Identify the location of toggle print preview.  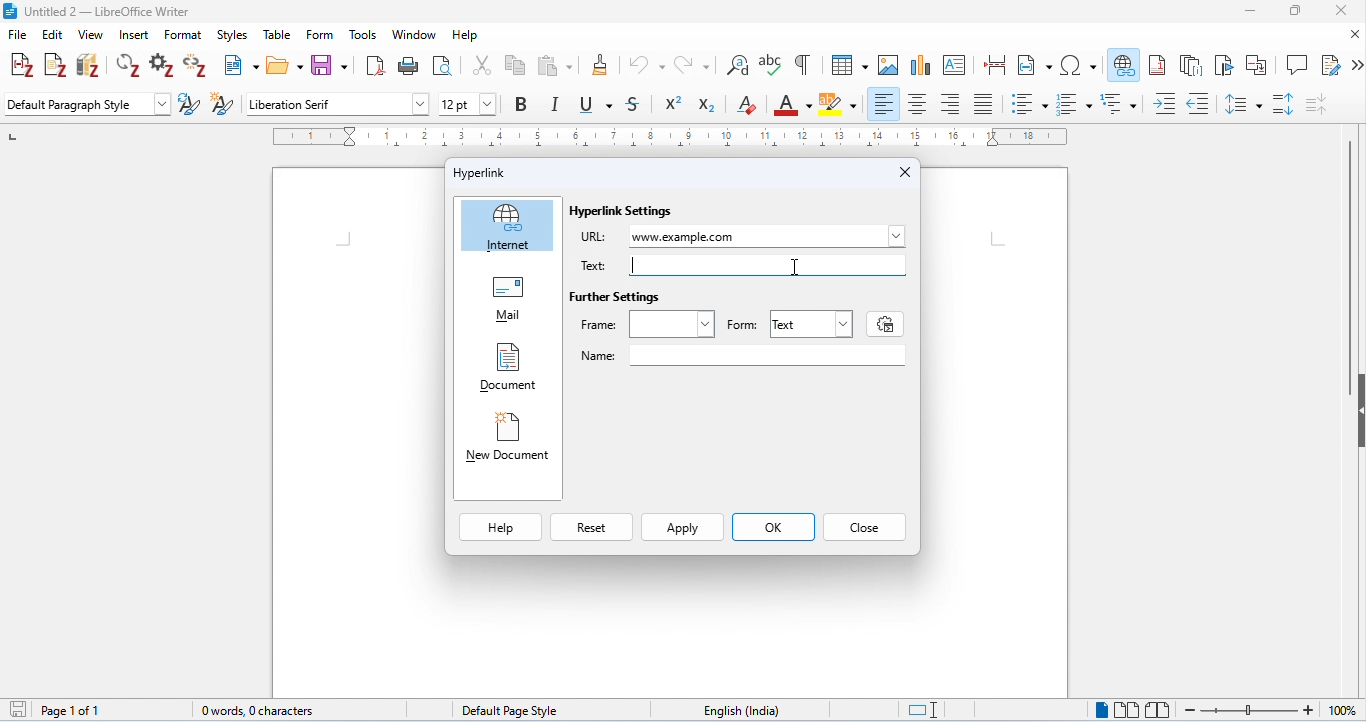
(443, 65).